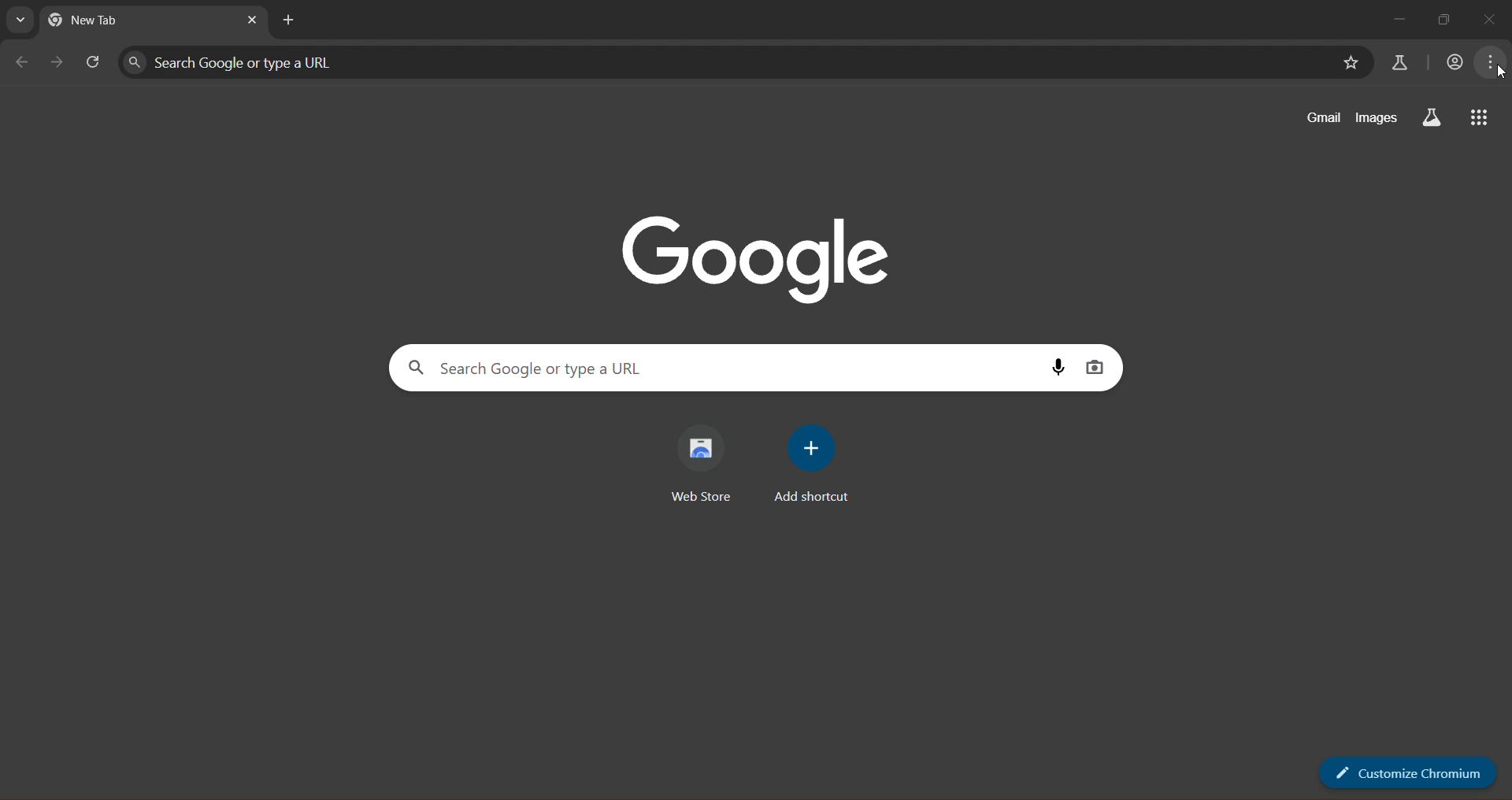 The height and width of the screenshot is (800, 1512). What do you see at coordinates (701, 461) in the screenshot?
I see `web store` at bounding box center [701, 461].